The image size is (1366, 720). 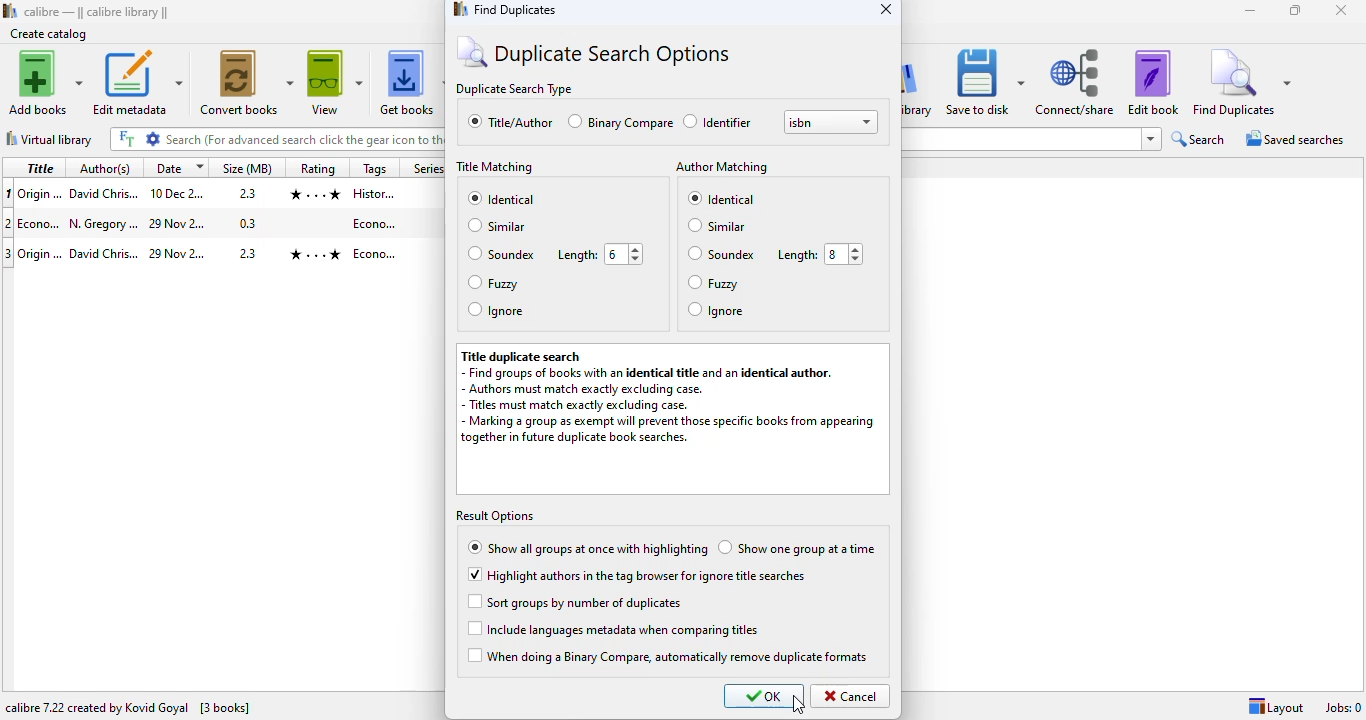 I want to click on duplicate search type, so click(x=516, y=88).